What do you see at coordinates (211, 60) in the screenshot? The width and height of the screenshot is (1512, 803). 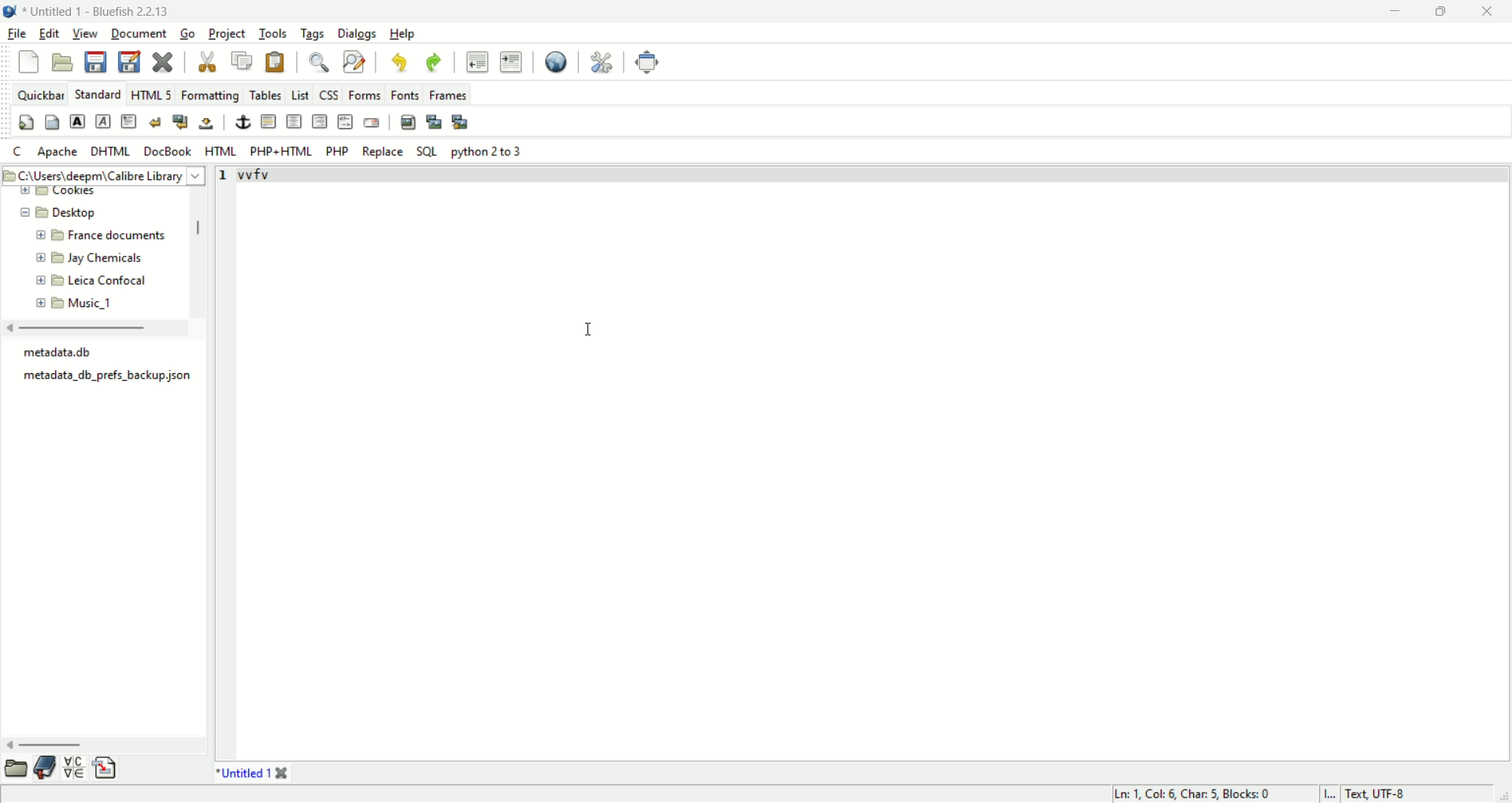 I see `cut` at bounding box center [211, 60].